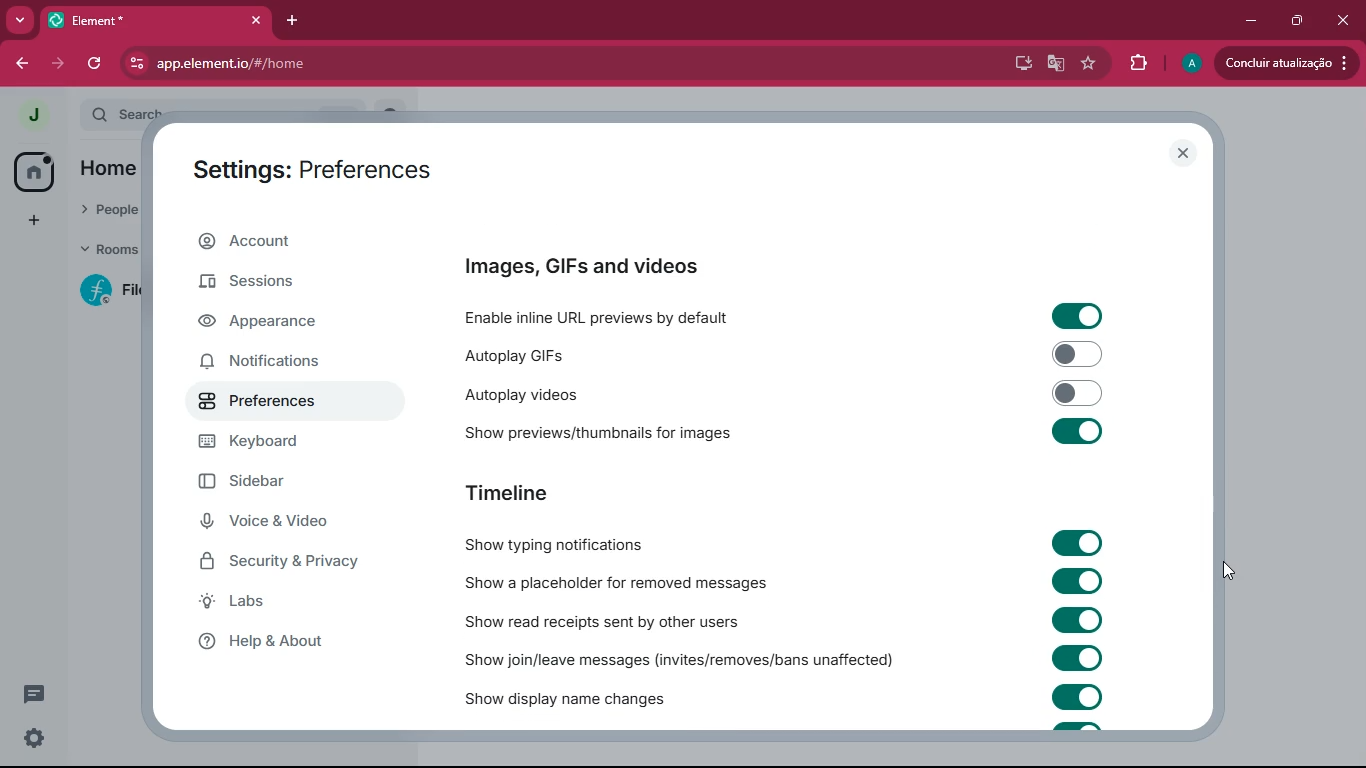  What do you see at coordinates (552, 541) in the screenshot?
I see `show typing notifications` at bounding box center [552, 541].